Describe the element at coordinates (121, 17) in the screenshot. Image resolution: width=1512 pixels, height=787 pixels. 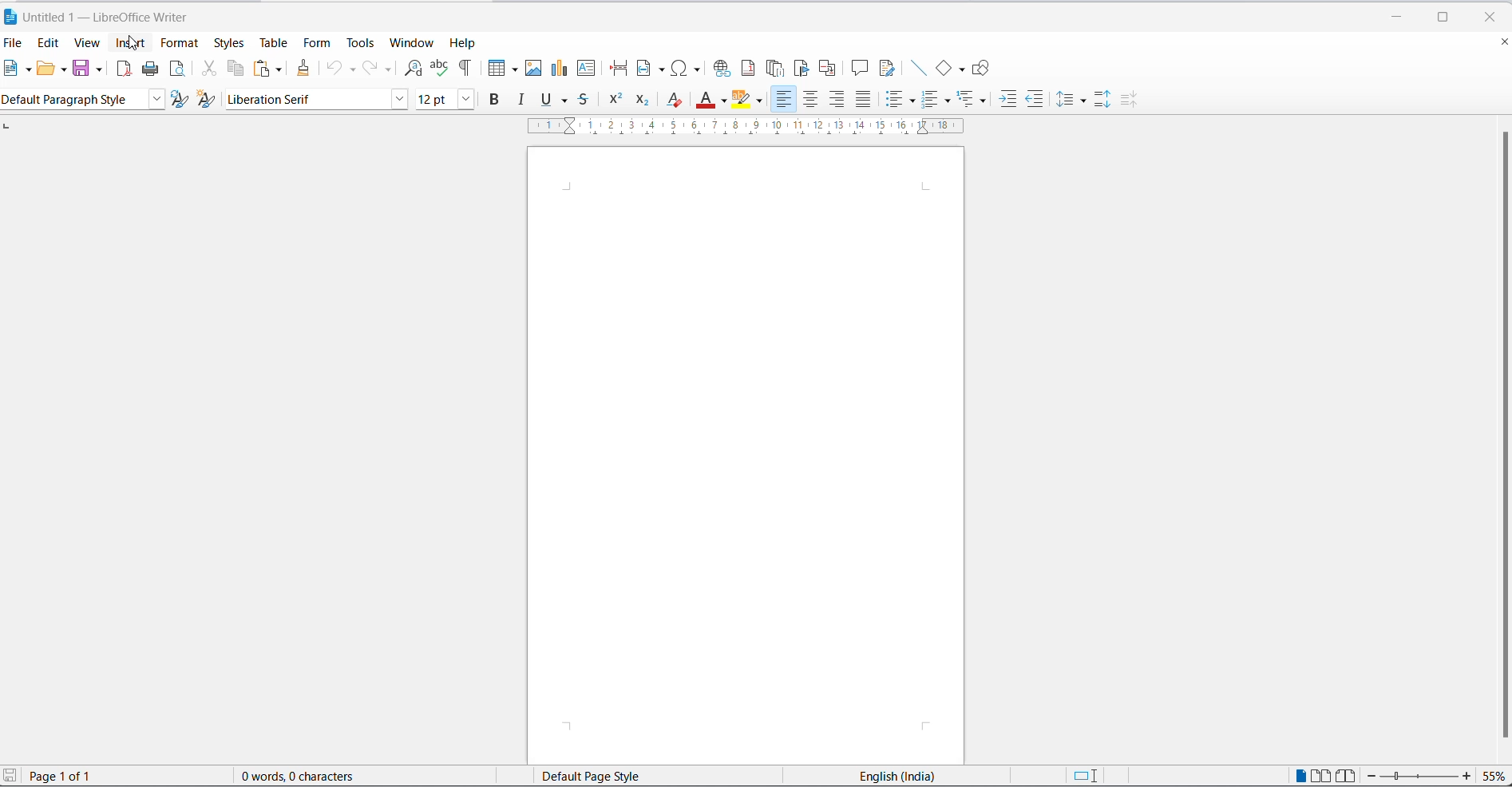
I see `Untitled 1 - LibreOffice Writer` at that location.